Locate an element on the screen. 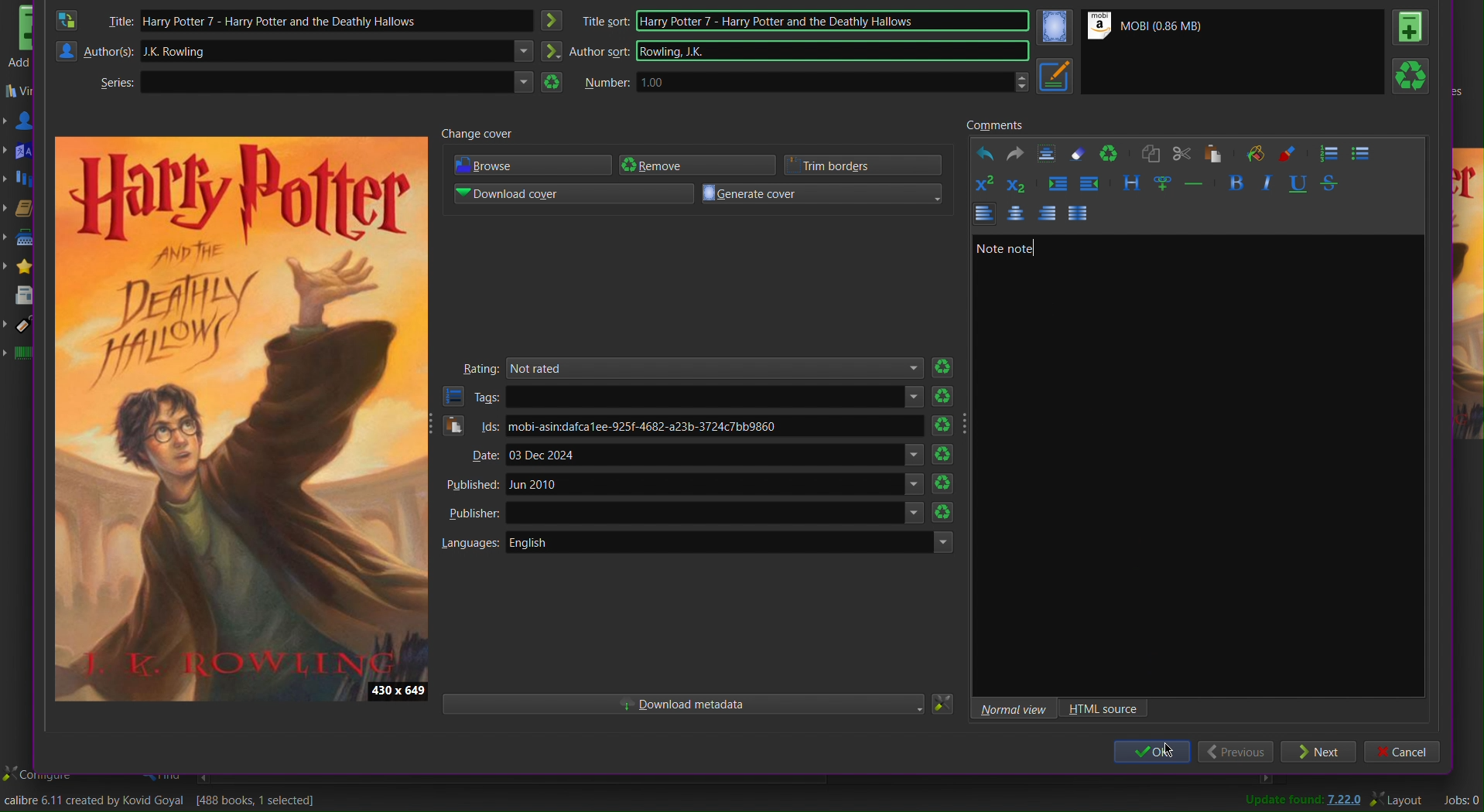 Image resolution: width=1484 pixels, height=812 pixels. Browse is located at coordinates (531, 165).